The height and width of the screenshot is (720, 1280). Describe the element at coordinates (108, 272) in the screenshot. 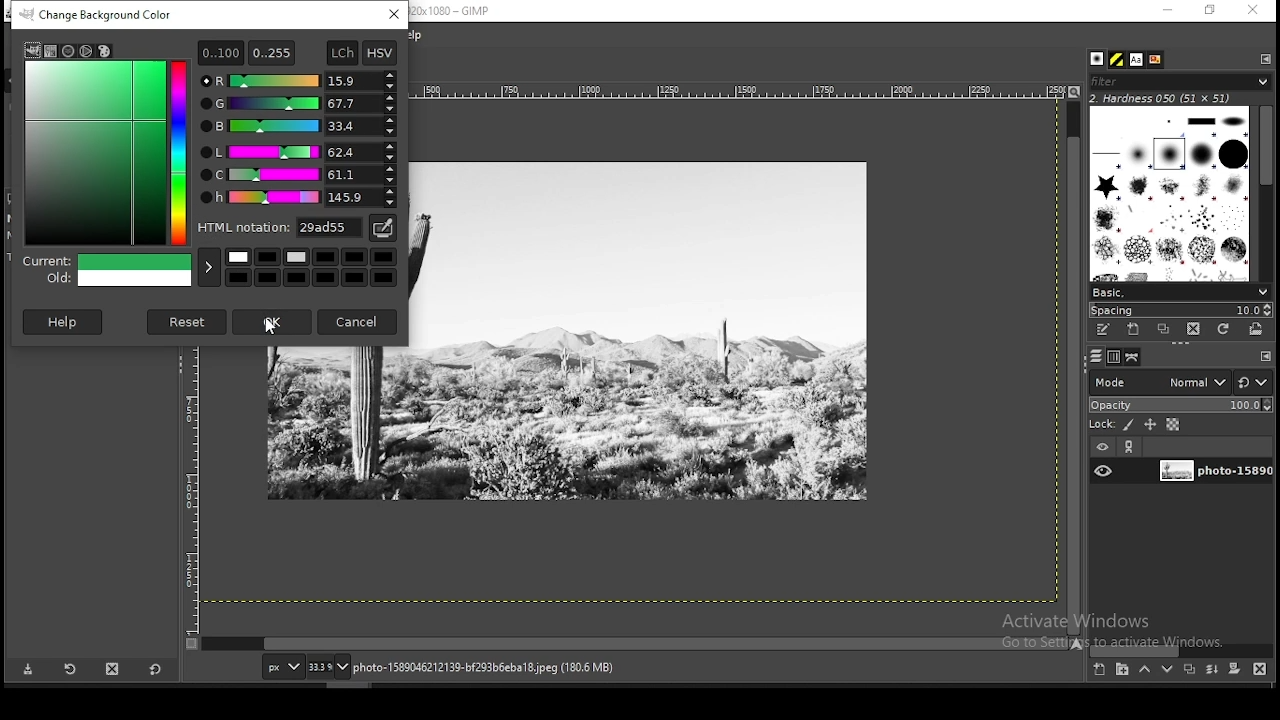

I see `color preview` at that location.